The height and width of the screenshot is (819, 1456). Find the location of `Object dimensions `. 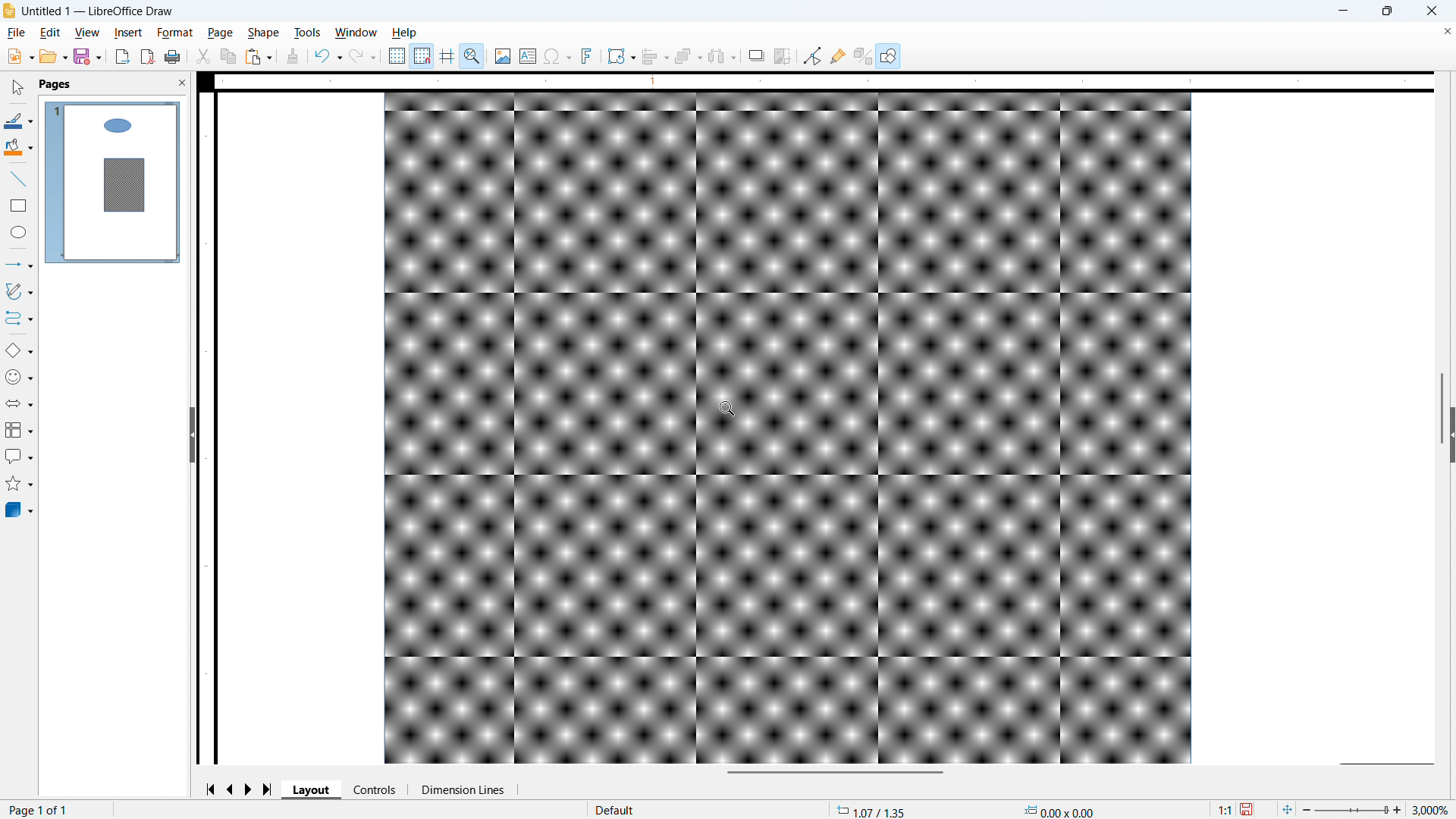

Object dimensions  is located at coordinates (1059, 810).